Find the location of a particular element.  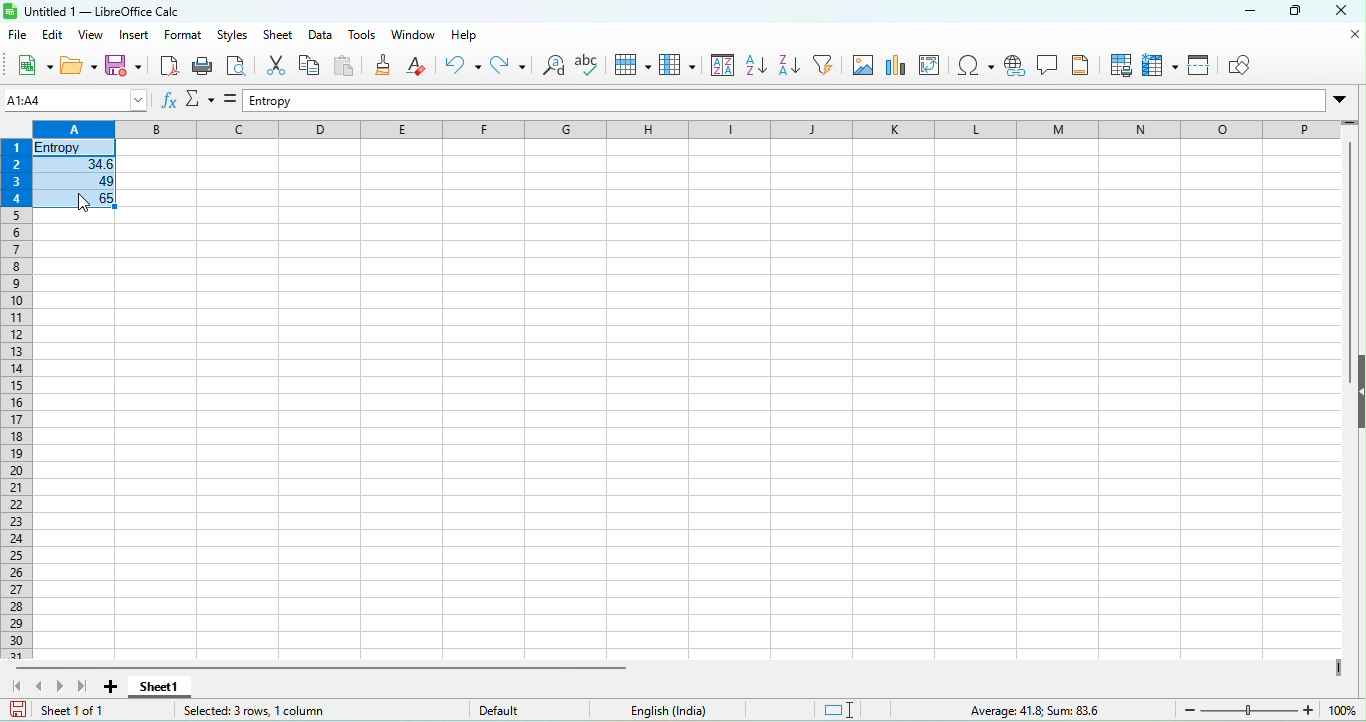

sheet 1 of 1 is located at coordinates (67, 712).